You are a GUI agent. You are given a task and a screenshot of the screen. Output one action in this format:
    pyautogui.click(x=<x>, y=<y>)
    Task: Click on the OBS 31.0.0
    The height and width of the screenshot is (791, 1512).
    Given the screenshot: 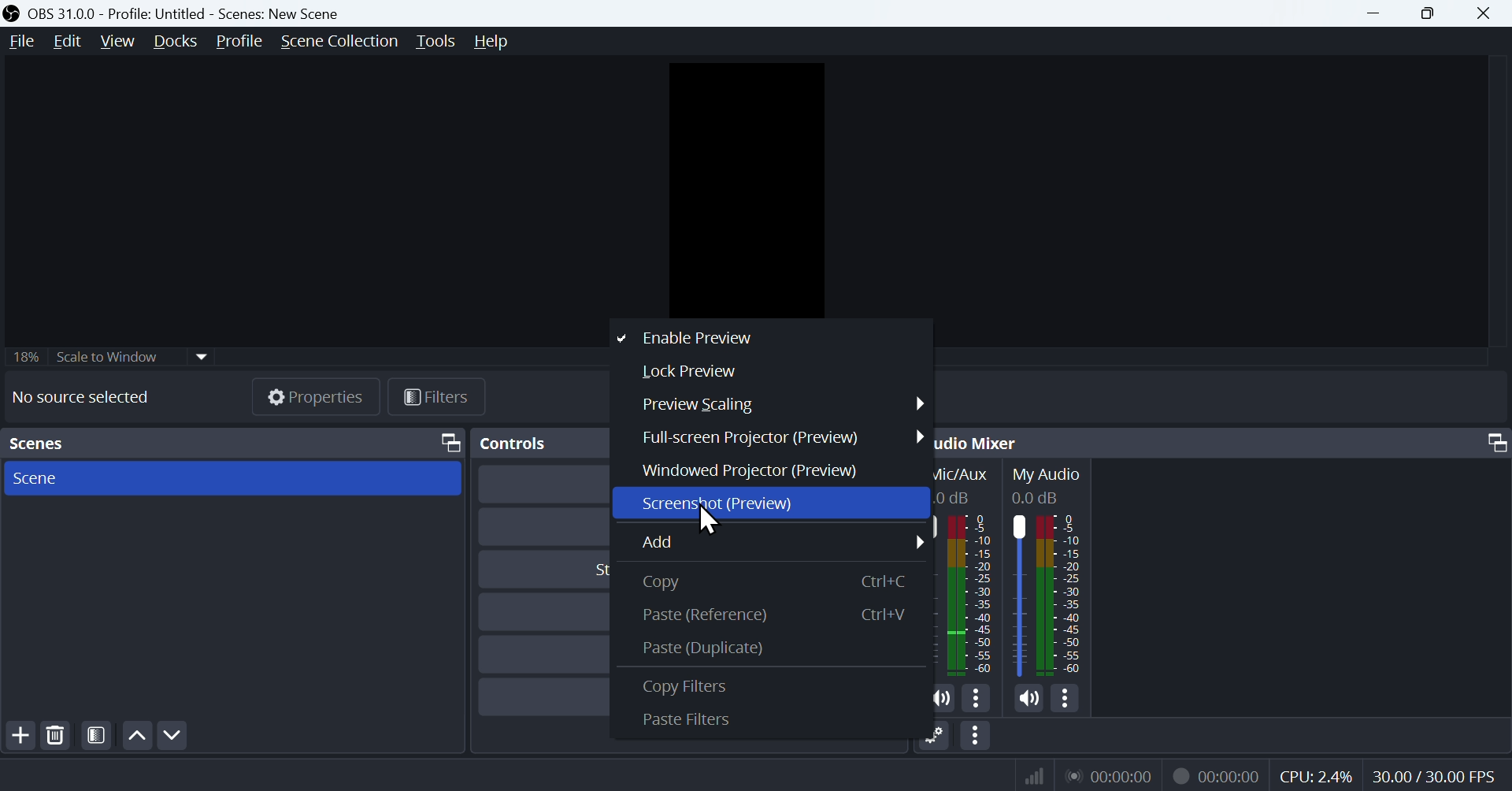 What is the action you would take?
    pyautogui.click(x=202, y=11)
    